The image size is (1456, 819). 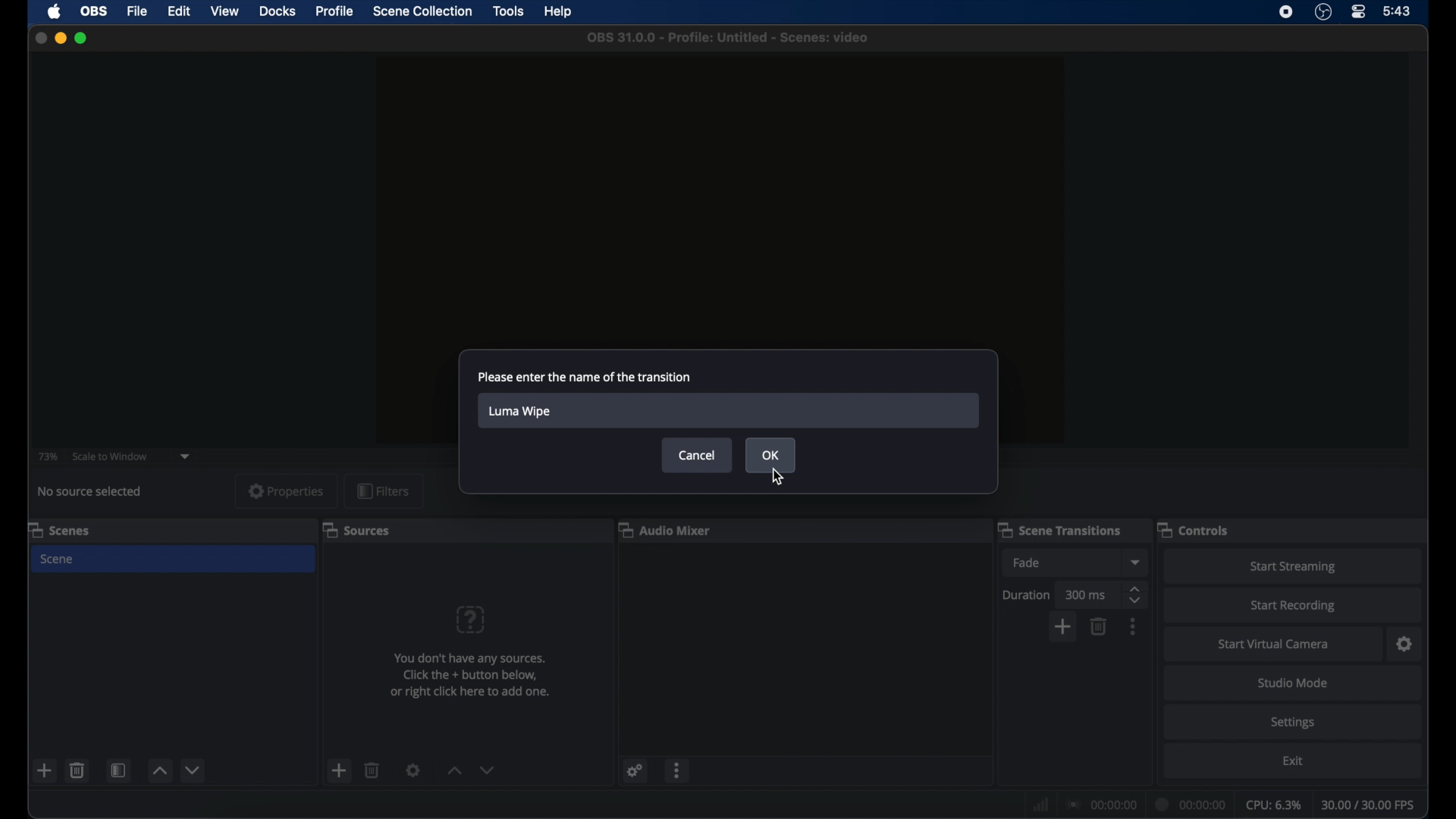 I want to click on more options, so click(x=679, y=770).